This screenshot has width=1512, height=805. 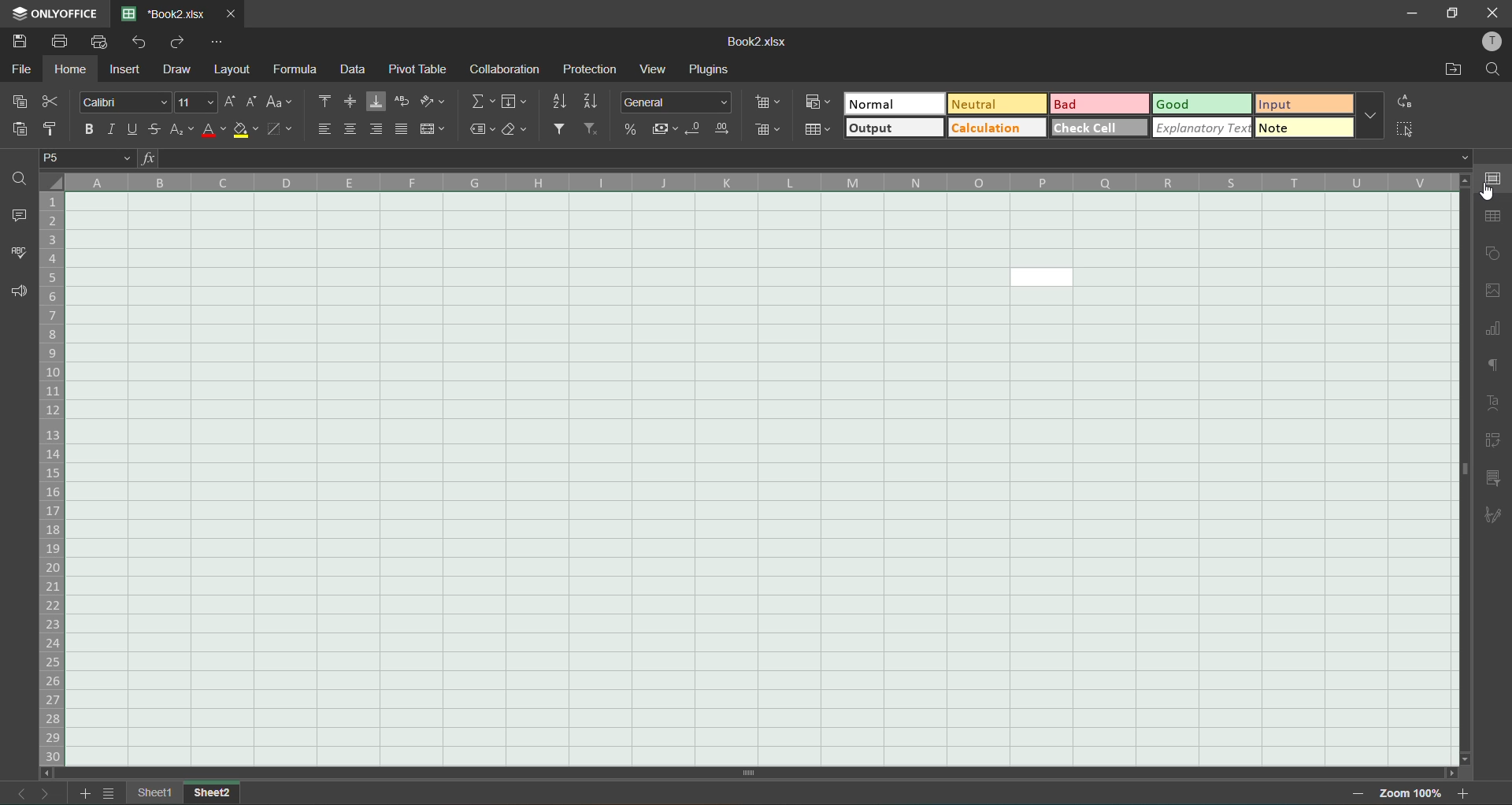 I want to click on charts, so click(x=1495, y=330).